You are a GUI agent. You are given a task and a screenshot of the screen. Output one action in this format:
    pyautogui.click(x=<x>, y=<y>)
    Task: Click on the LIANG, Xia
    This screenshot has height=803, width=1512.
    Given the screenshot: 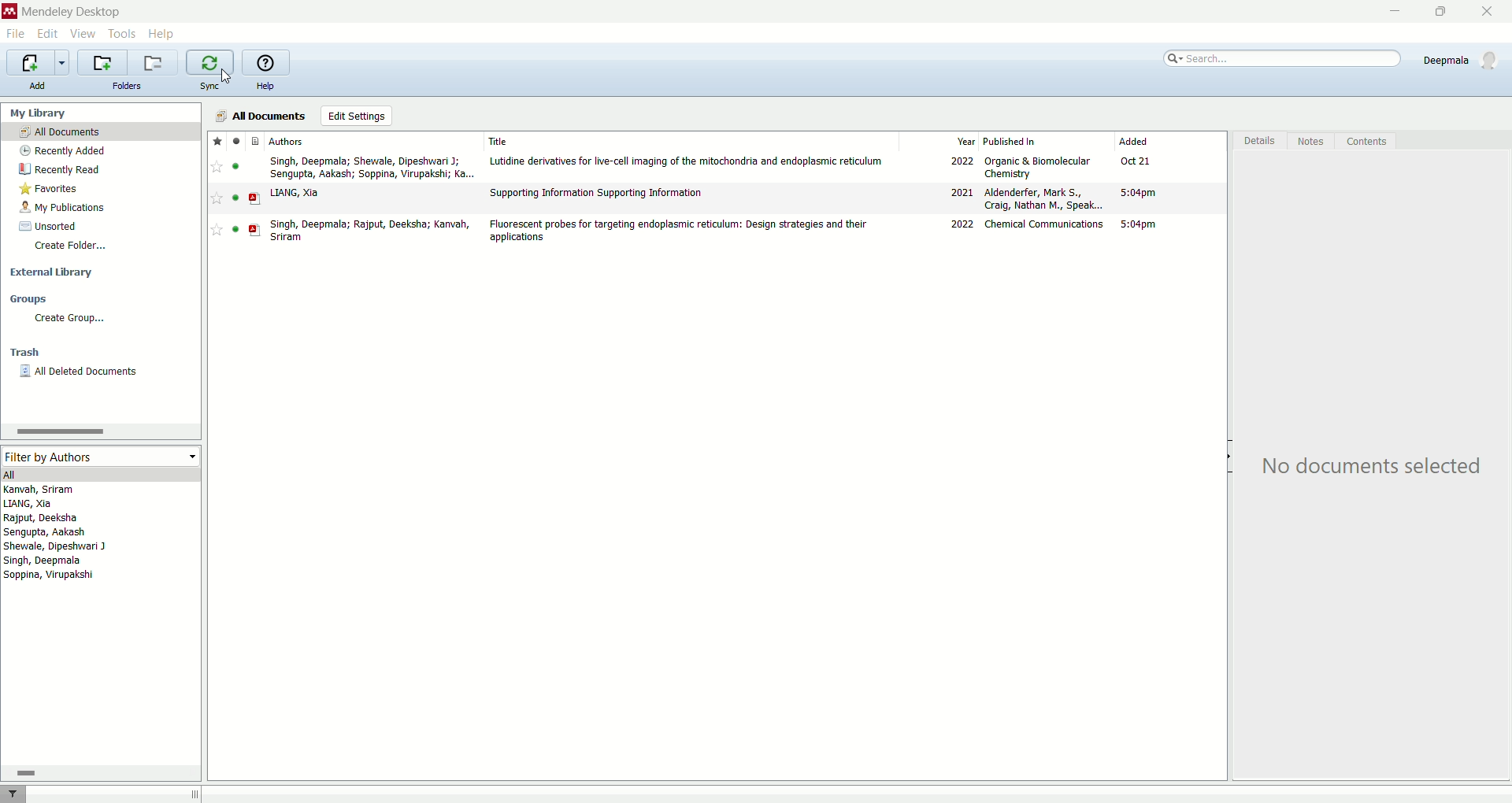 What is the action you would take?
    pyautogui.click(x=34, y=503)
    